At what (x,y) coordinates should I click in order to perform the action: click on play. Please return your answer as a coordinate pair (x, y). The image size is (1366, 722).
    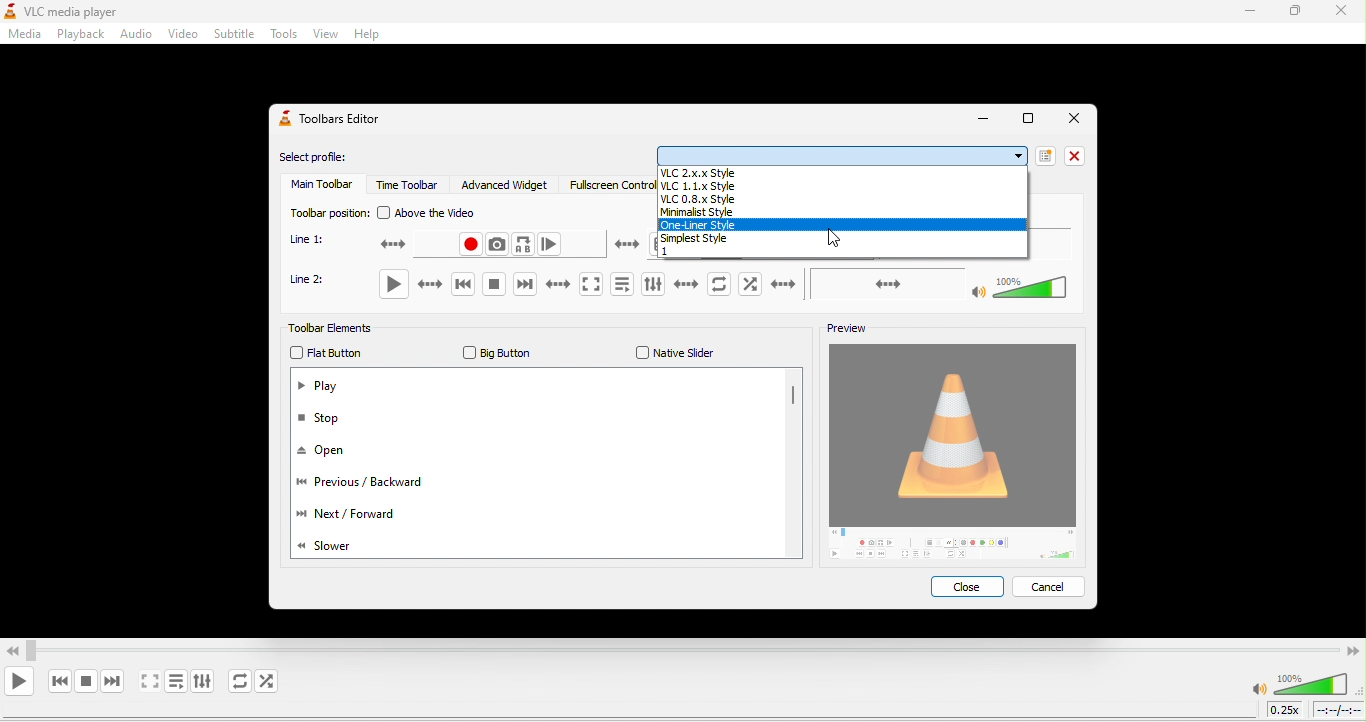
    Looking at the image, I should click on (20, 681).